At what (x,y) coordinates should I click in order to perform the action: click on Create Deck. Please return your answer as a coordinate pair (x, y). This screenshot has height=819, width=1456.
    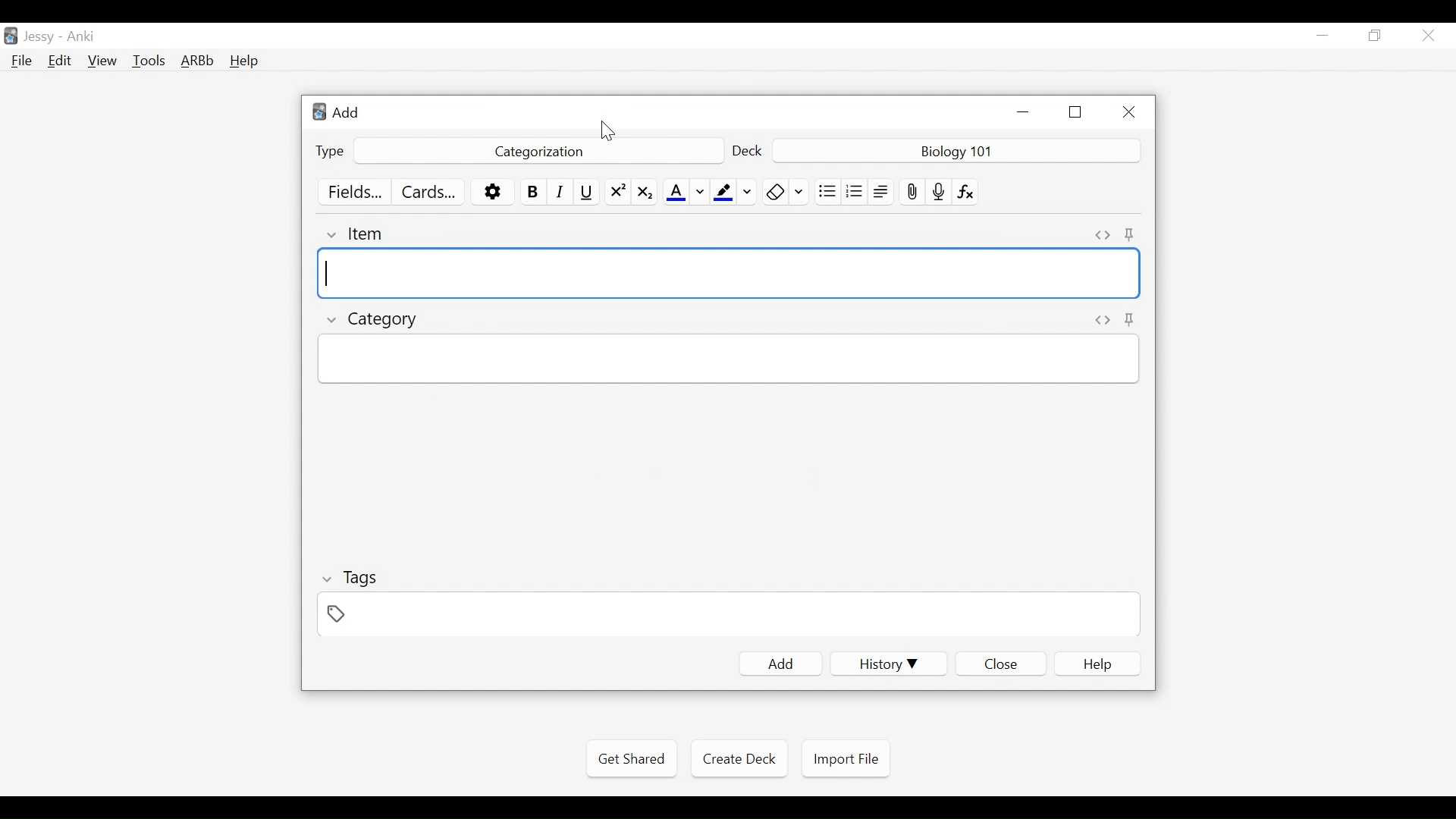
    Looking at the image, I should click on (736, 758).